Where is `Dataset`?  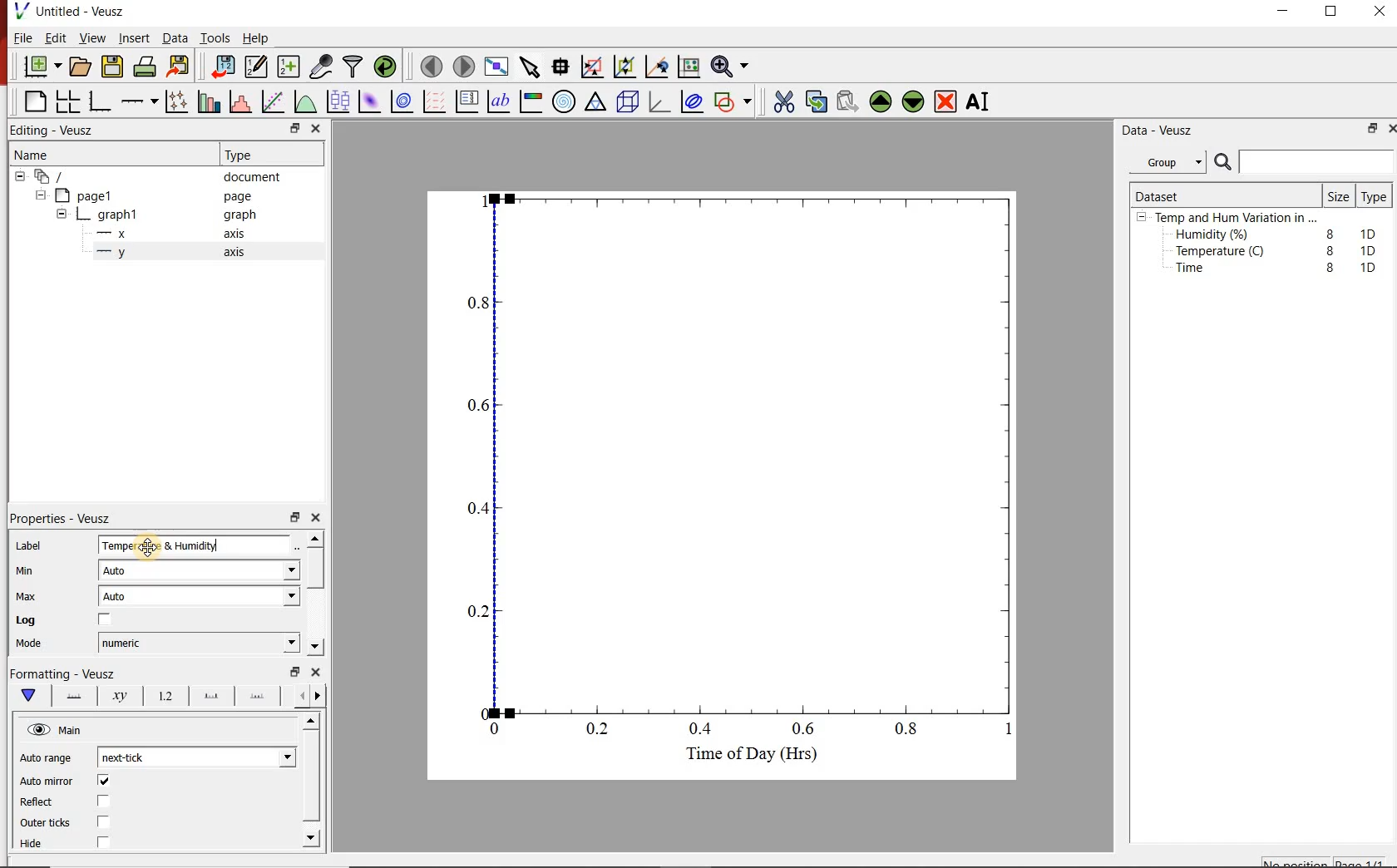 Dataset is located at coordinates (1164, 194).